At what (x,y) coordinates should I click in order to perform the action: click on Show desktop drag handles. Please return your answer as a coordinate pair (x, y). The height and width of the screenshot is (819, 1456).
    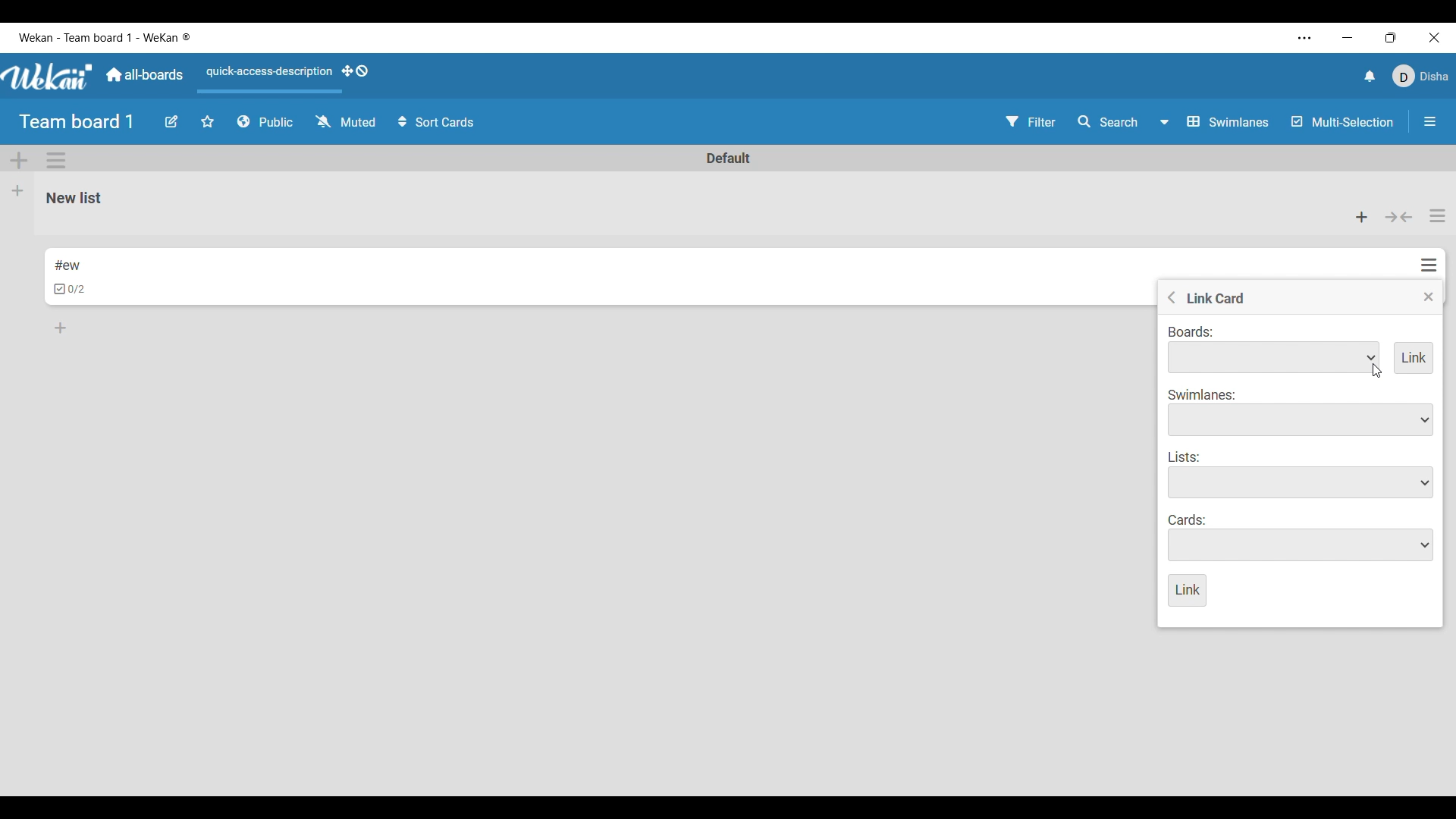
    Looking at the image, I should click on (355, 71).